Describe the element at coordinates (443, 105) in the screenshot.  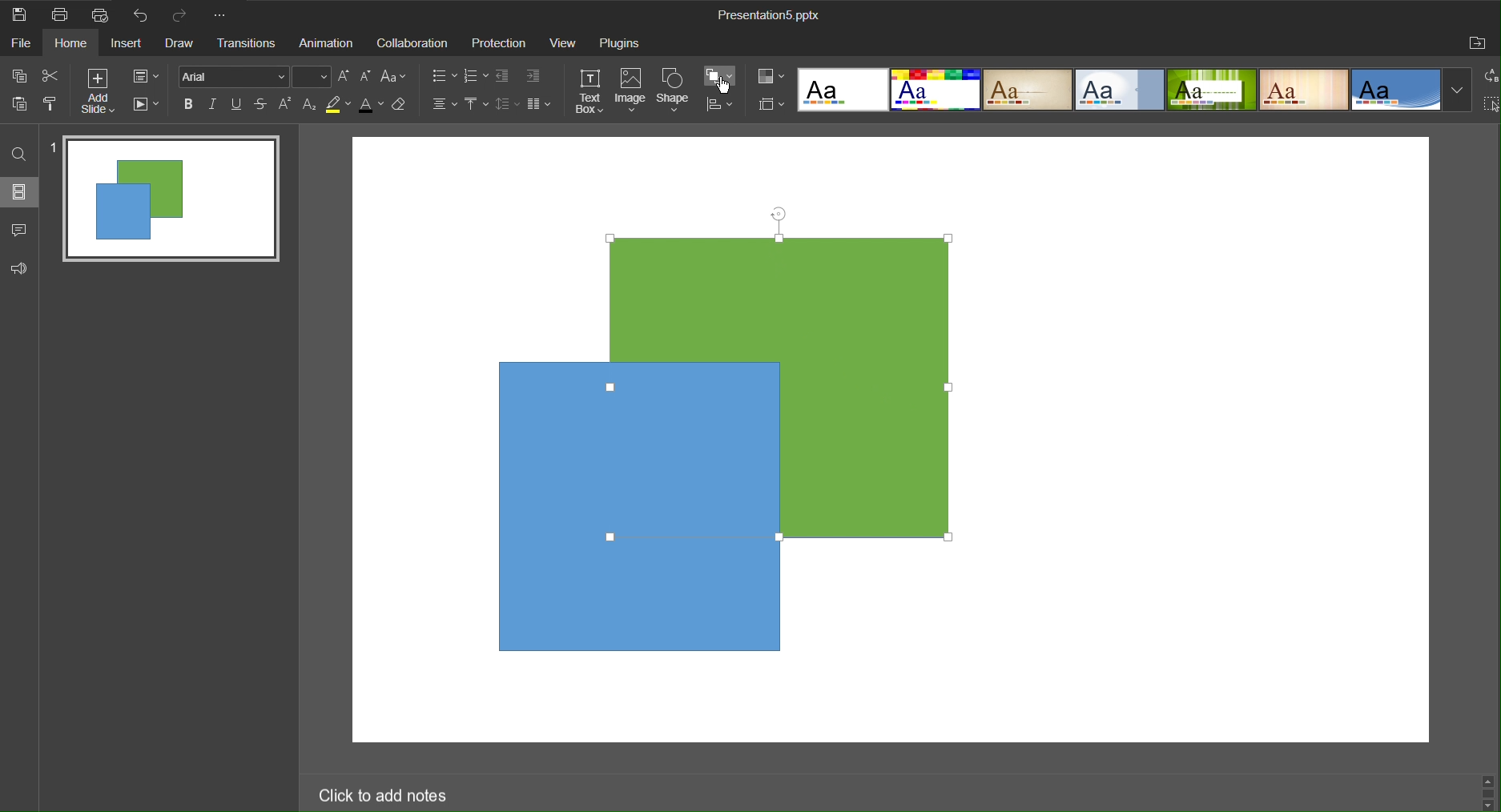
I see `Alignment` at that location.